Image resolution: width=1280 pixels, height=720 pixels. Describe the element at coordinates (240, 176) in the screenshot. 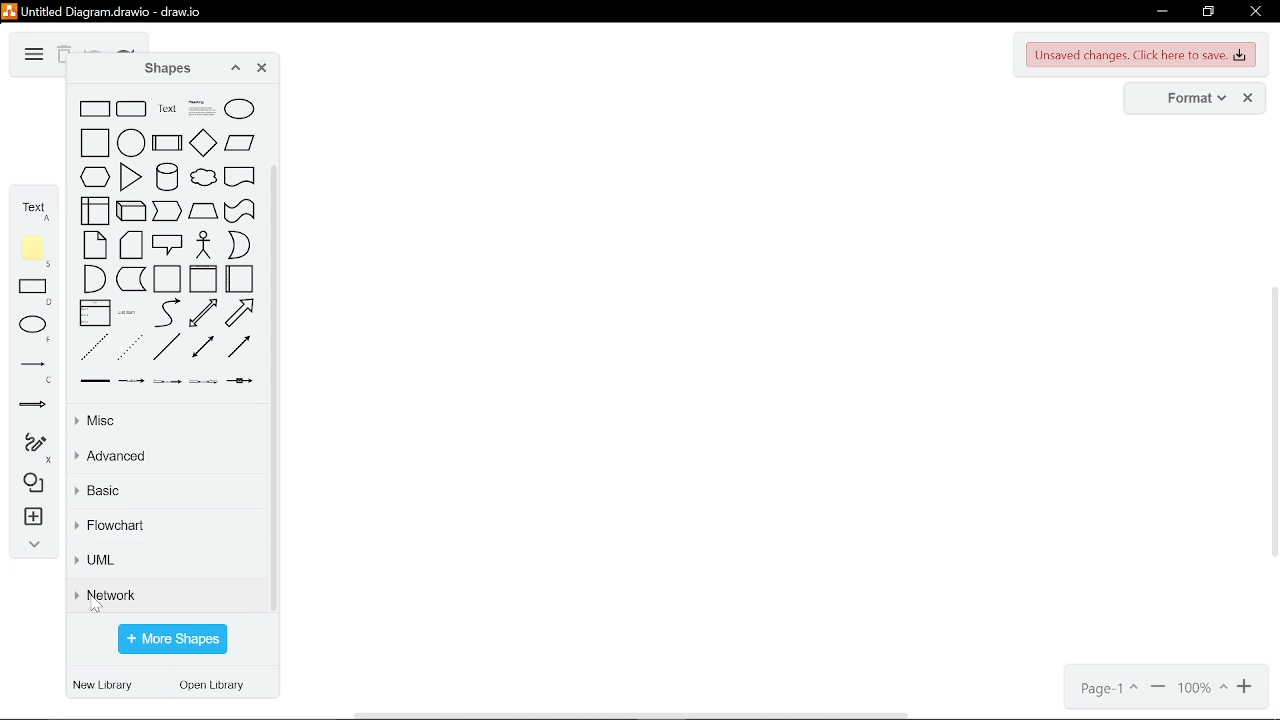

I see `document` at that location.